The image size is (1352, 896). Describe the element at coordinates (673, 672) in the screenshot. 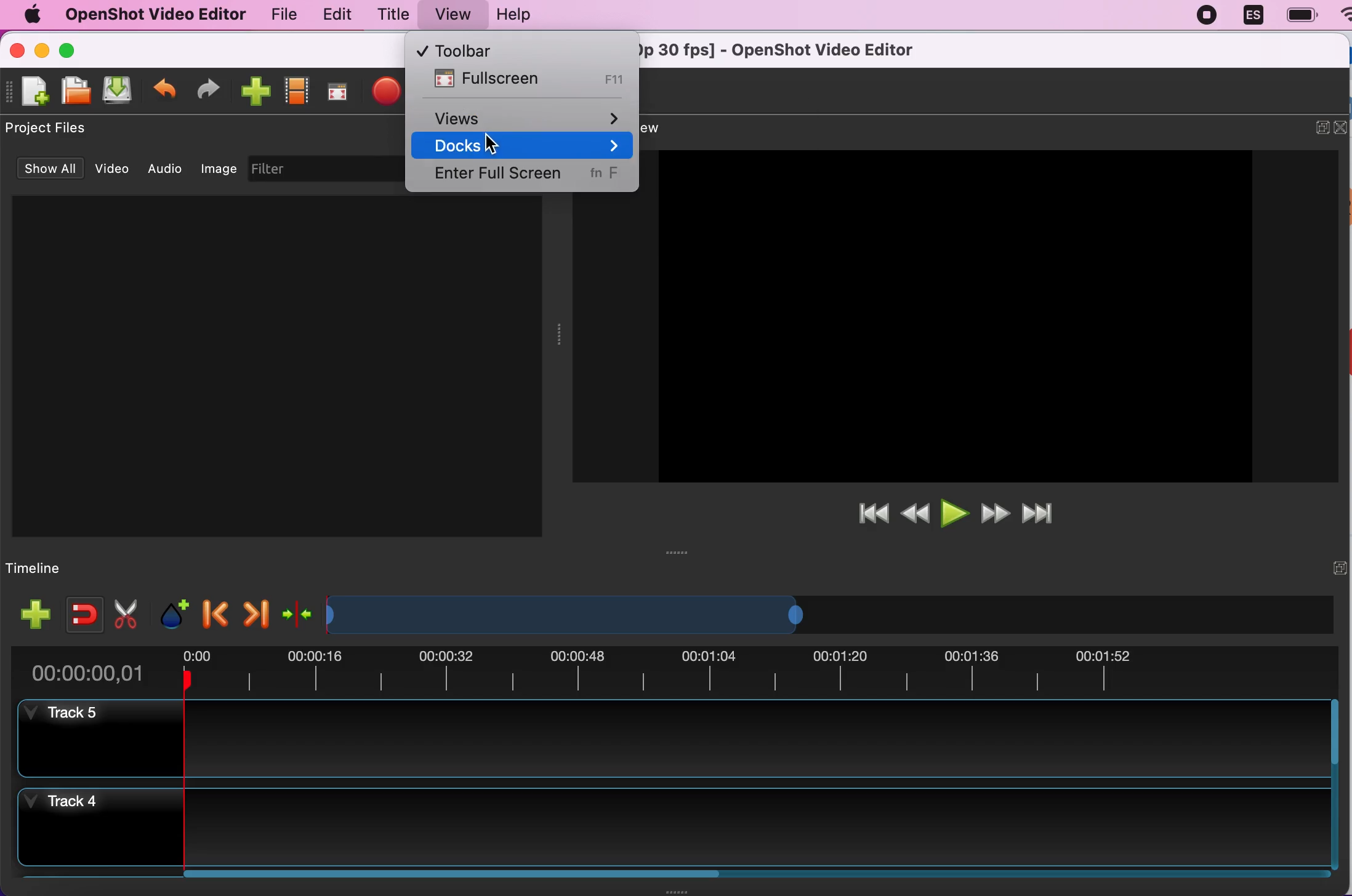

I see `time duration` at that location.